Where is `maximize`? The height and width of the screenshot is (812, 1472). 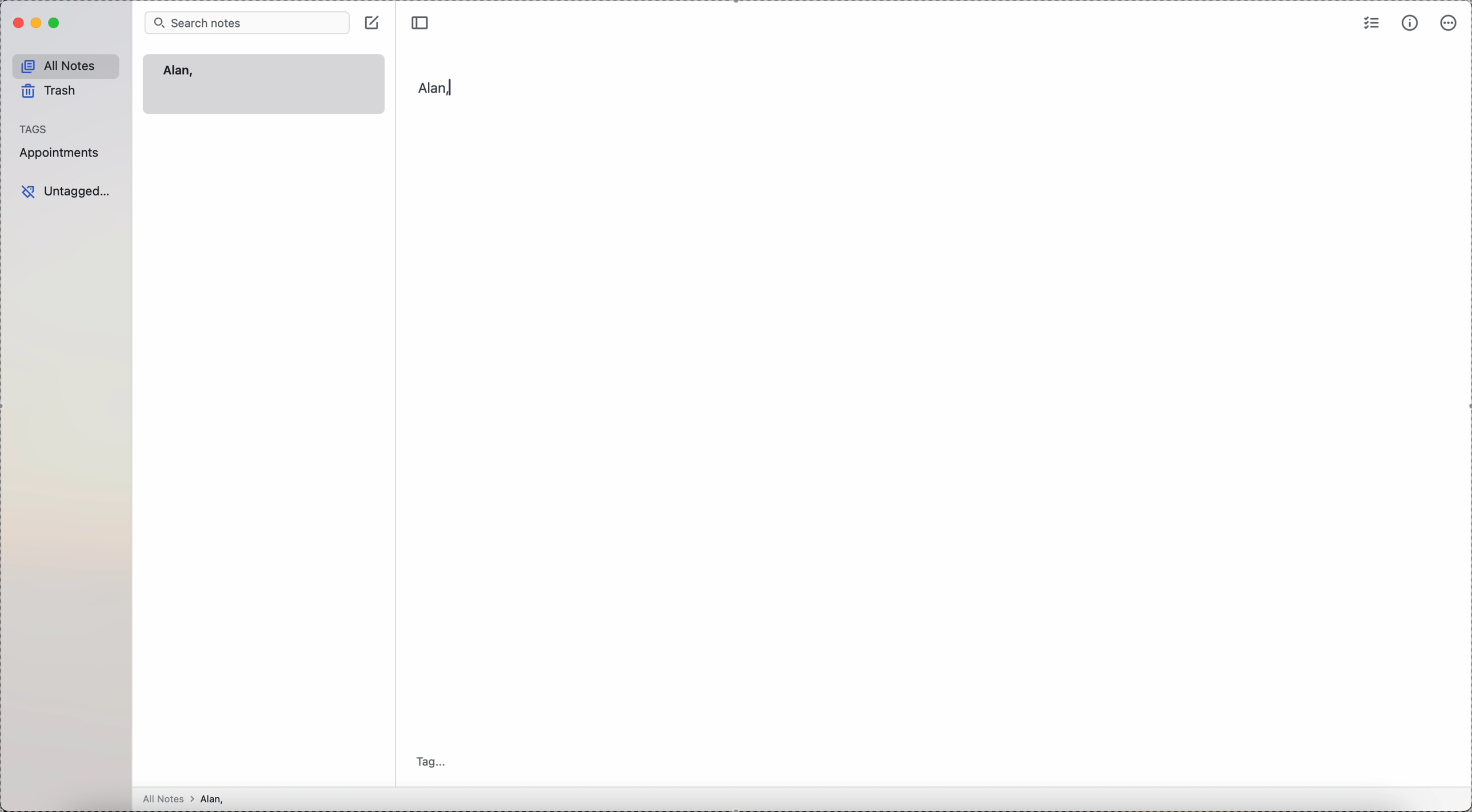 maximize is located at coordinates (56, 23).